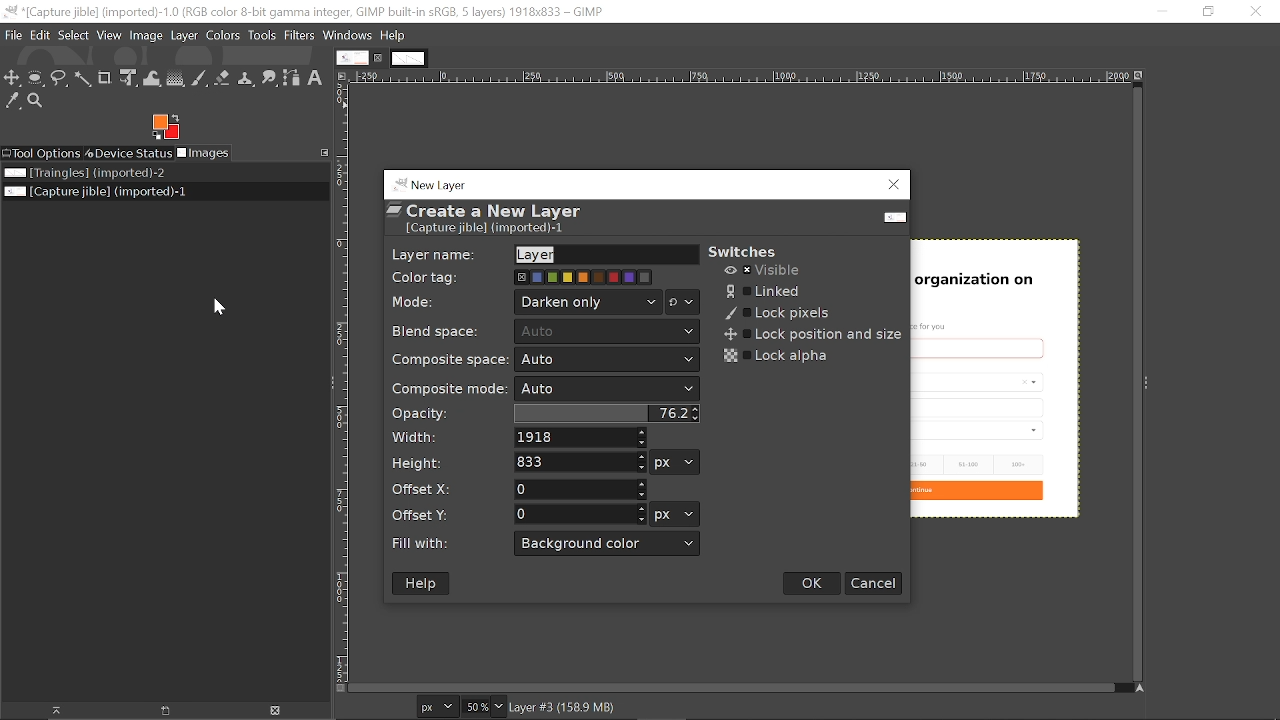 Image resolution: width=1280 pixels, height=720 pixels. I want to click on auto, so click(608, 331).